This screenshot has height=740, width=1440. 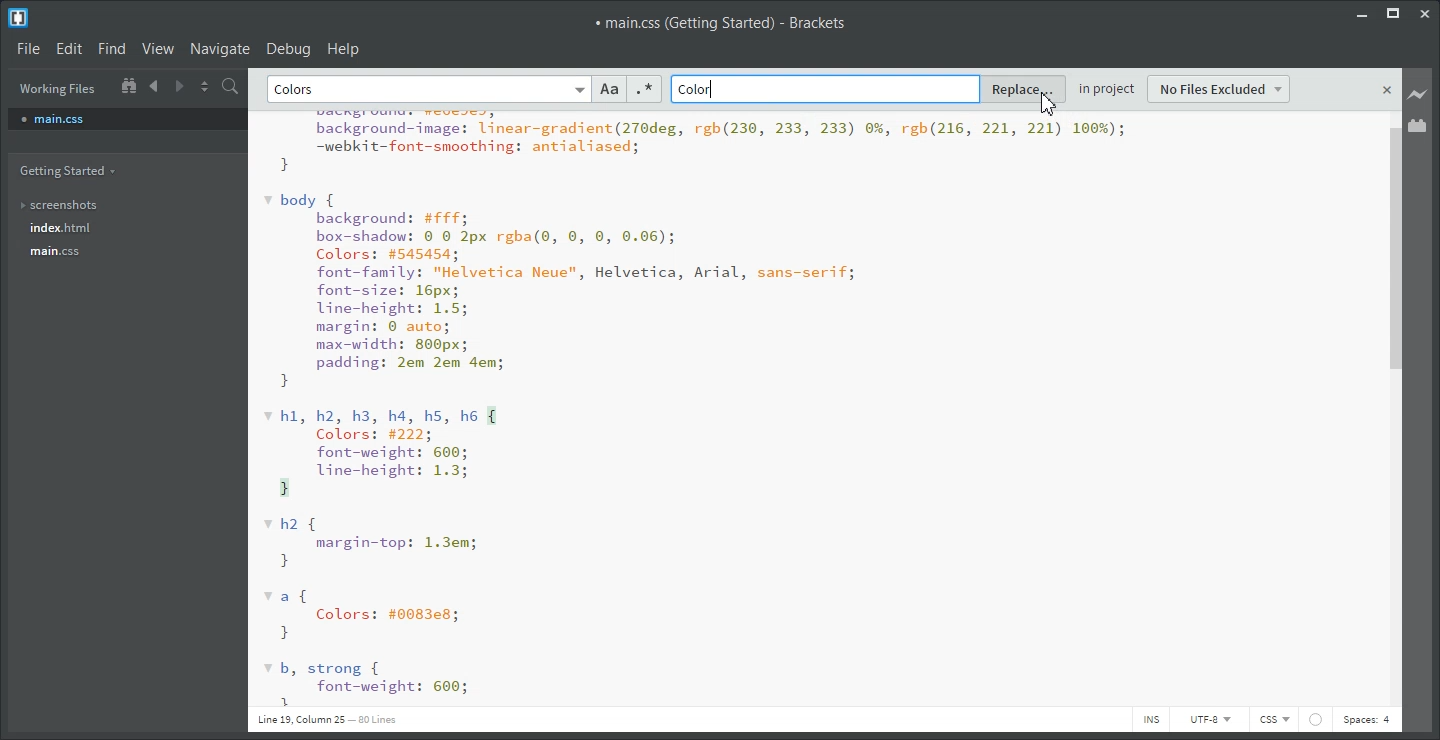 What do you see at coordinates (72, 206) in the screenshot?
I see `screenshots` at bounding box center [72, 206].